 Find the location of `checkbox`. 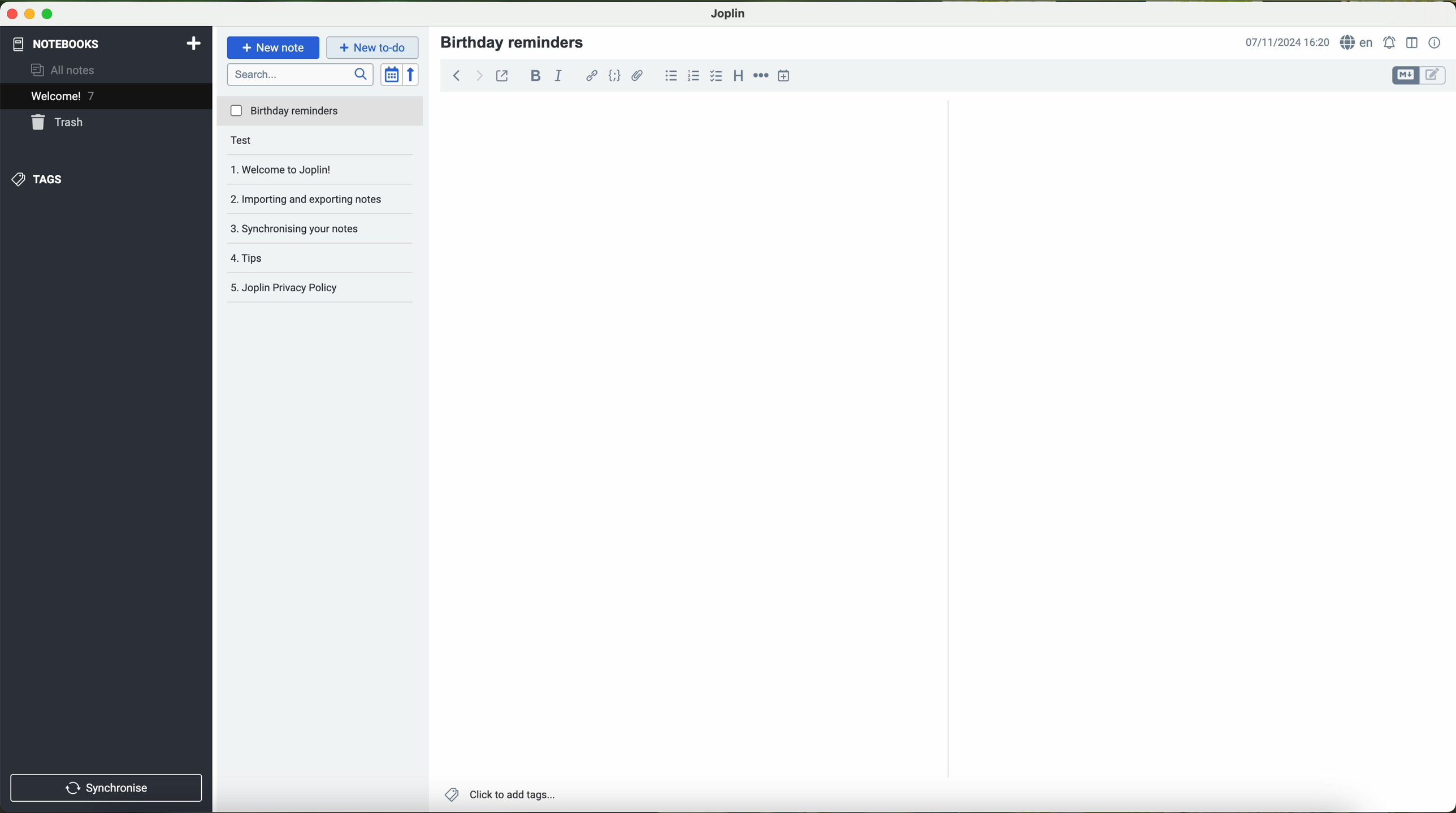

checkbox is located at coordinates (716, 75).